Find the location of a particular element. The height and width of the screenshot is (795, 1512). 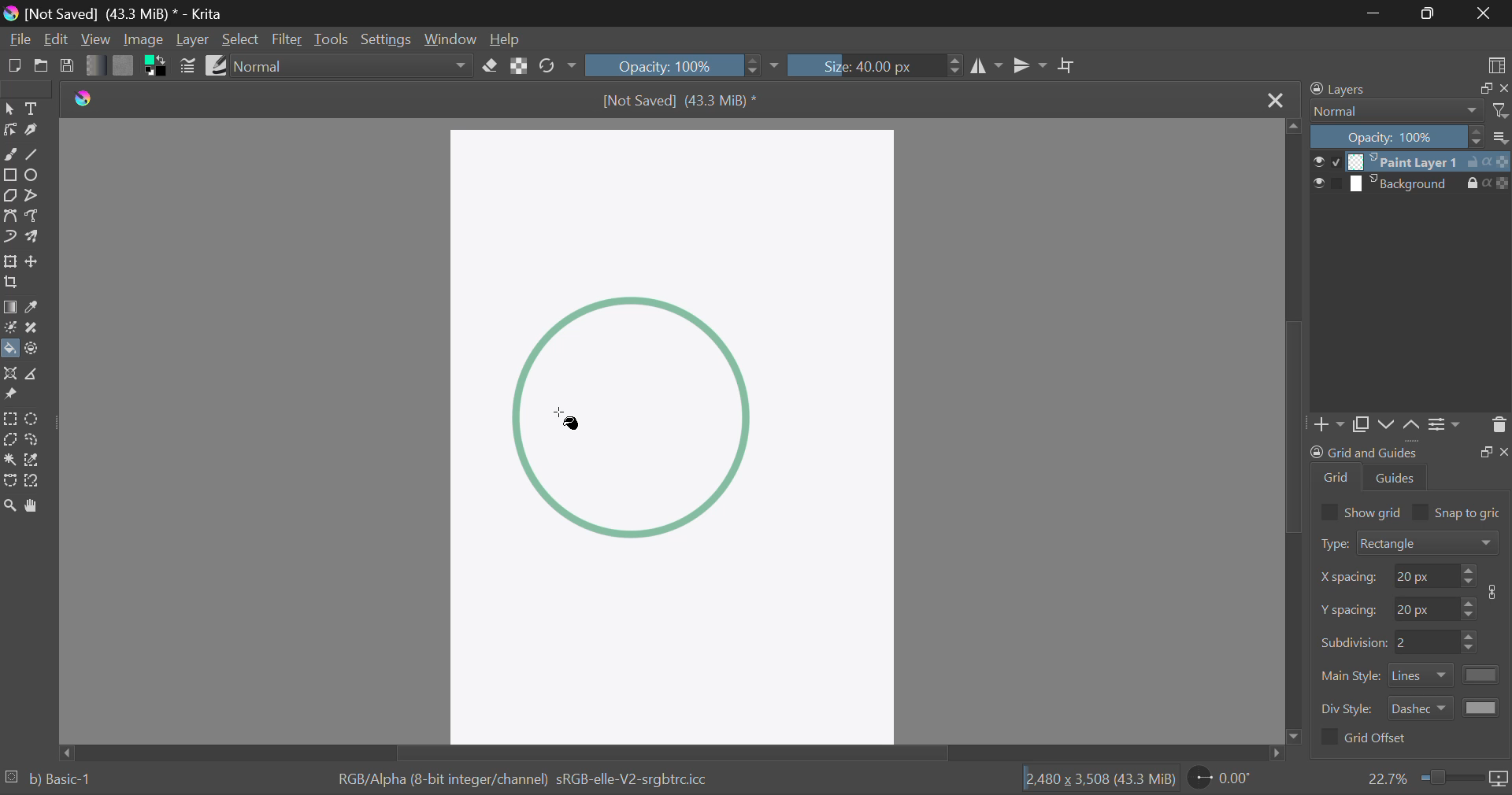

Scroll Bar is located at coordinates (1296, 438).